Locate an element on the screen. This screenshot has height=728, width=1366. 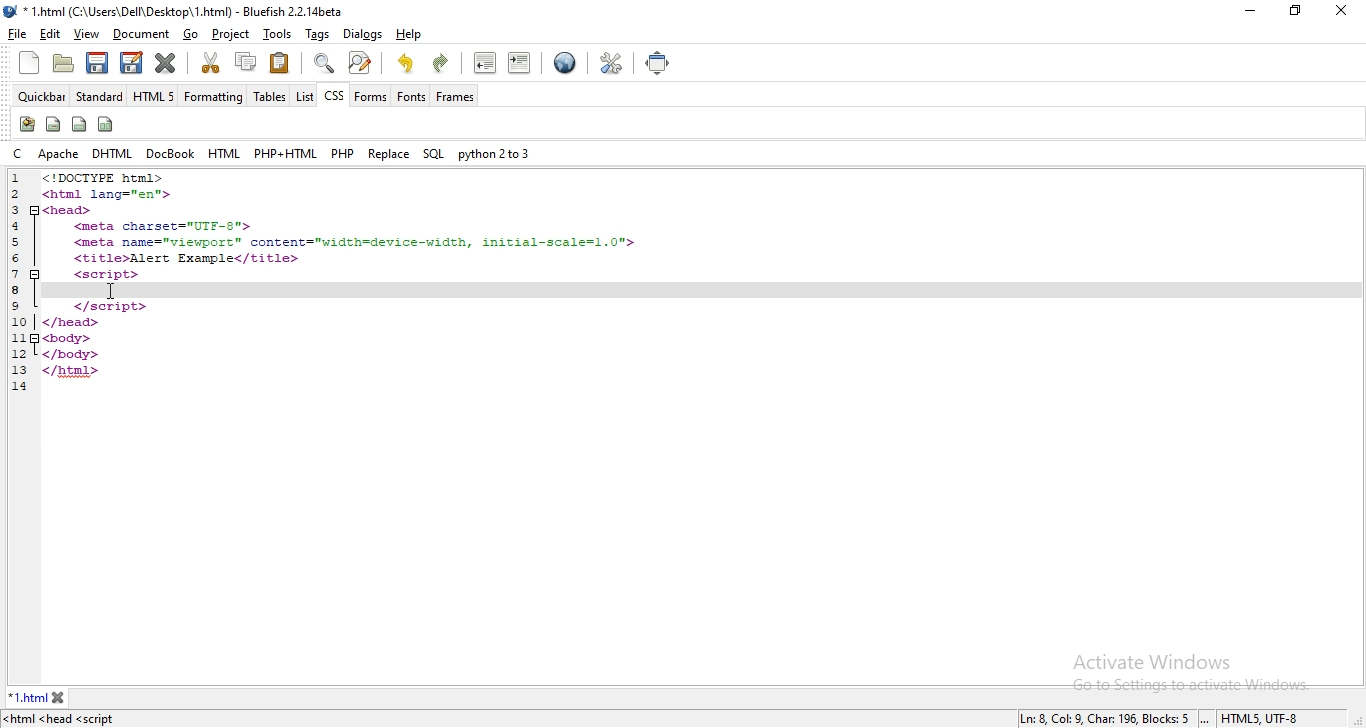
redo is located at coordinates (442, 64).